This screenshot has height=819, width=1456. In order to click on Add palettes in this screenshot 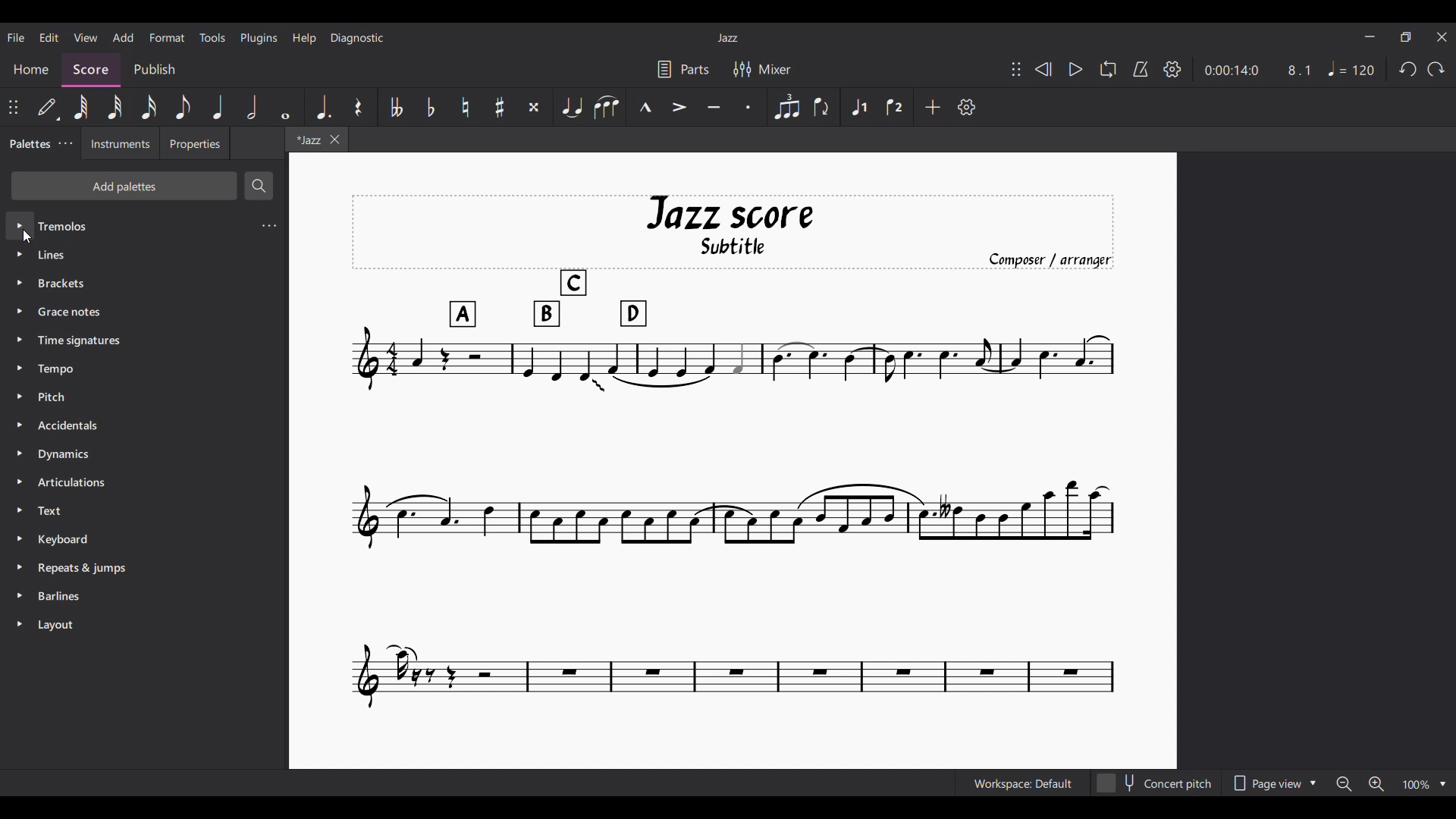, I will do `click(124, 186)`.